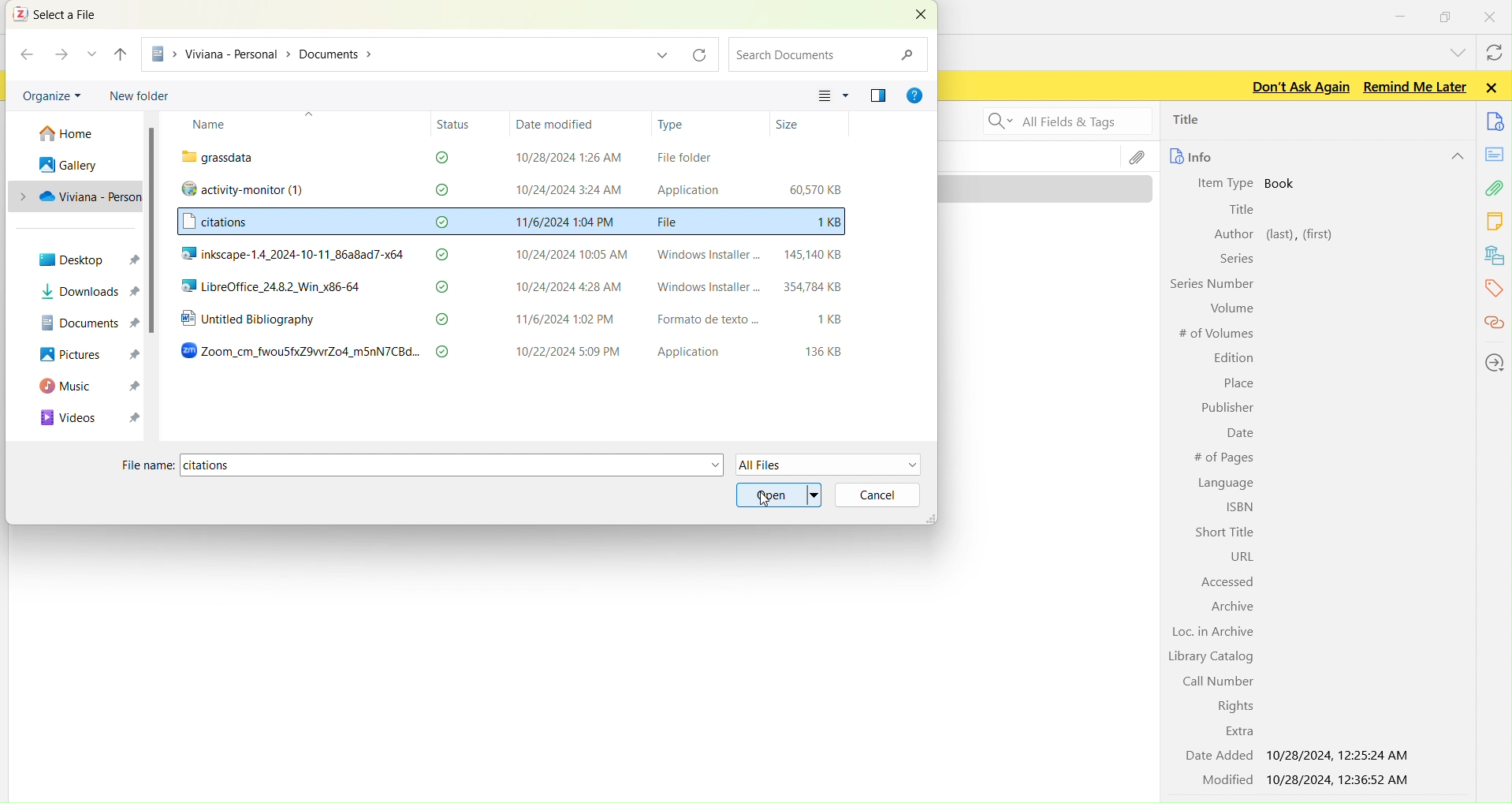  Describe the element at coordinates (812, 255) in the screenshot. I see `145,140 KB` at that location.